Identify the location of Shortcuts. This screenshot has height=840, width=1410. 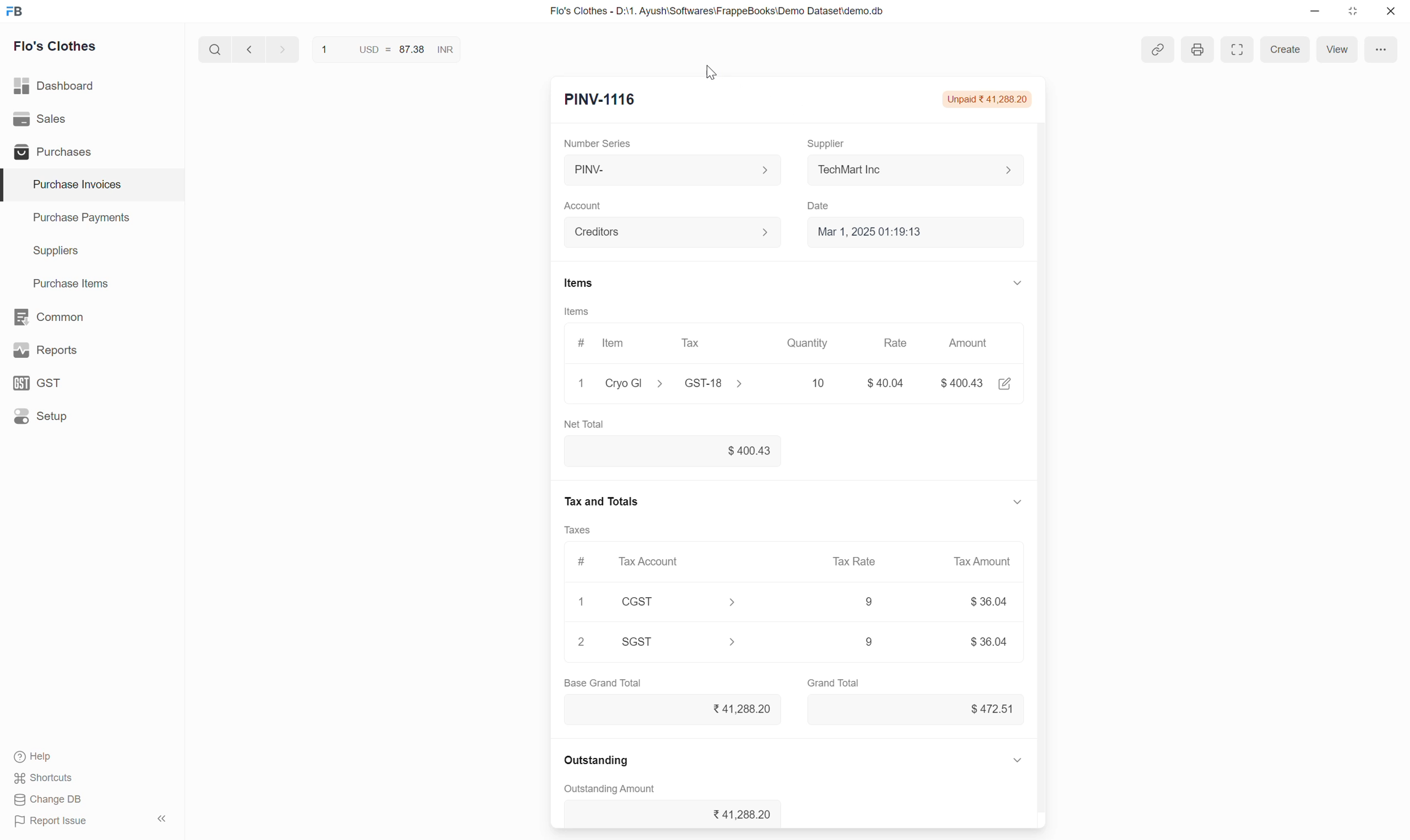
(45, 779).